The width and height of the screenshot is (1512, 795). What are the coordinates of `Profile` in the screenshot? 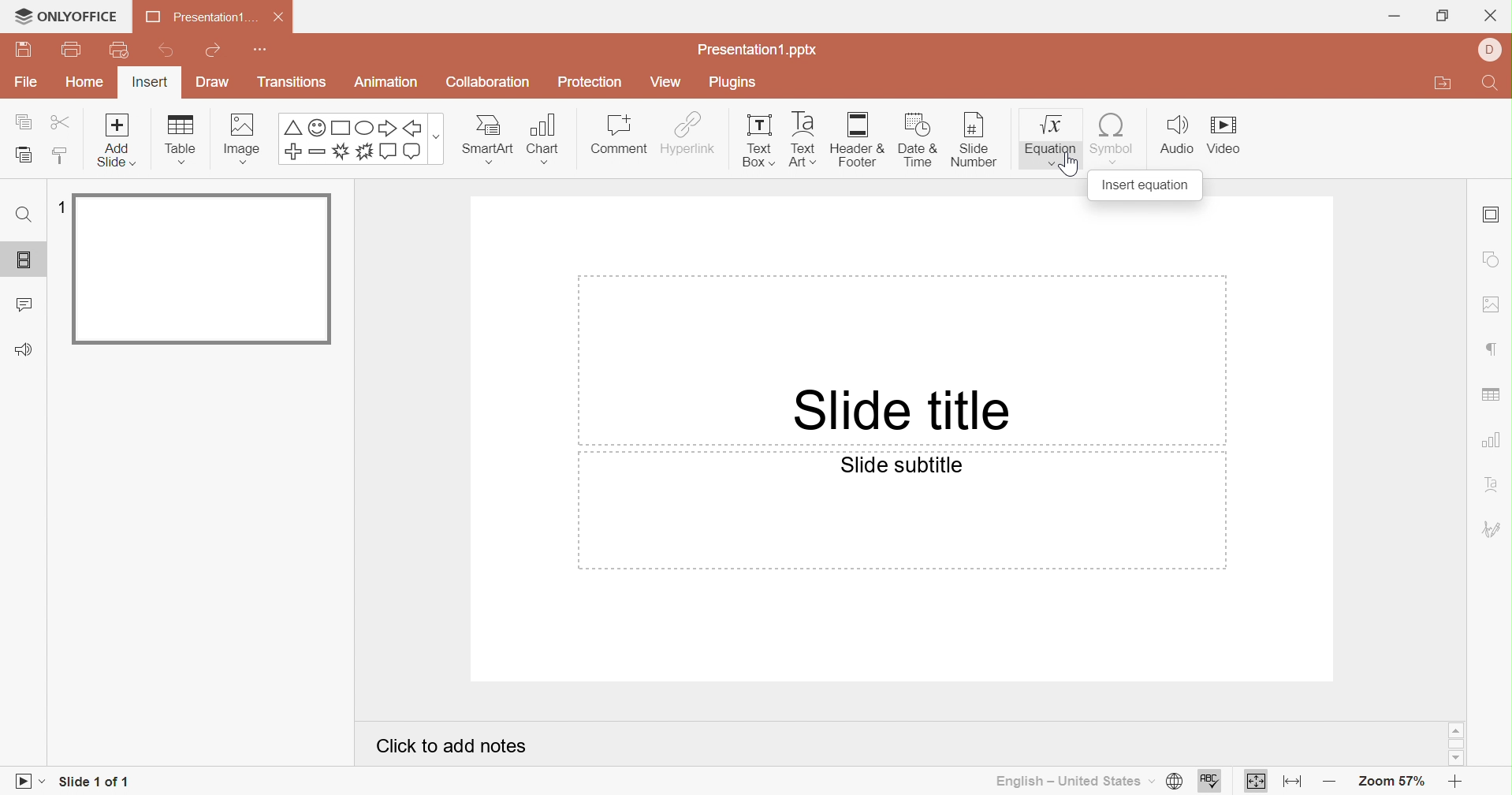 It's located at (1493, 50).